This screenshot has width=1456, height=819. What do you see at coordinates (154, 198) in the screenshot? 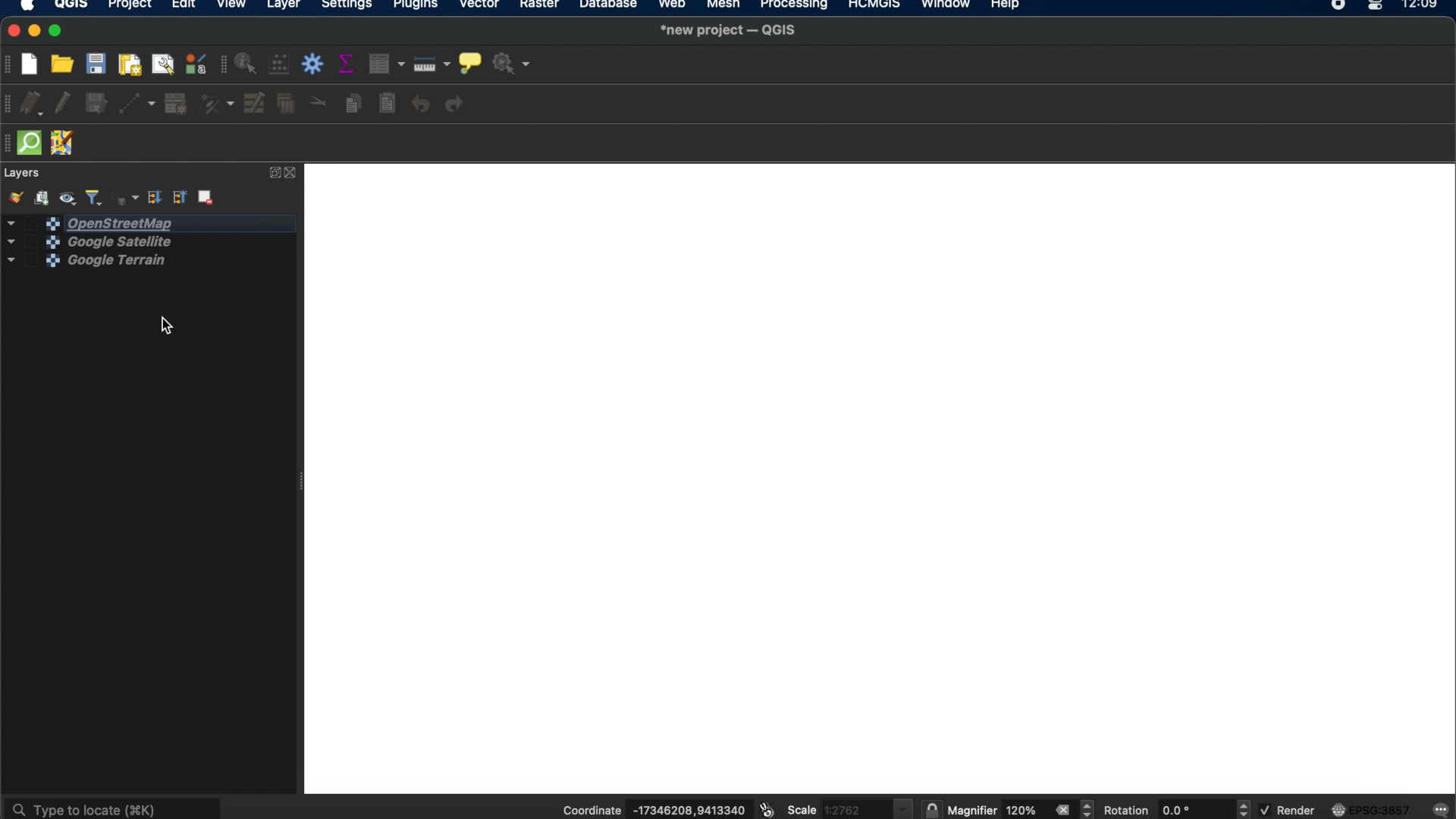
I see `expand all` at bounding box center [154, 198].